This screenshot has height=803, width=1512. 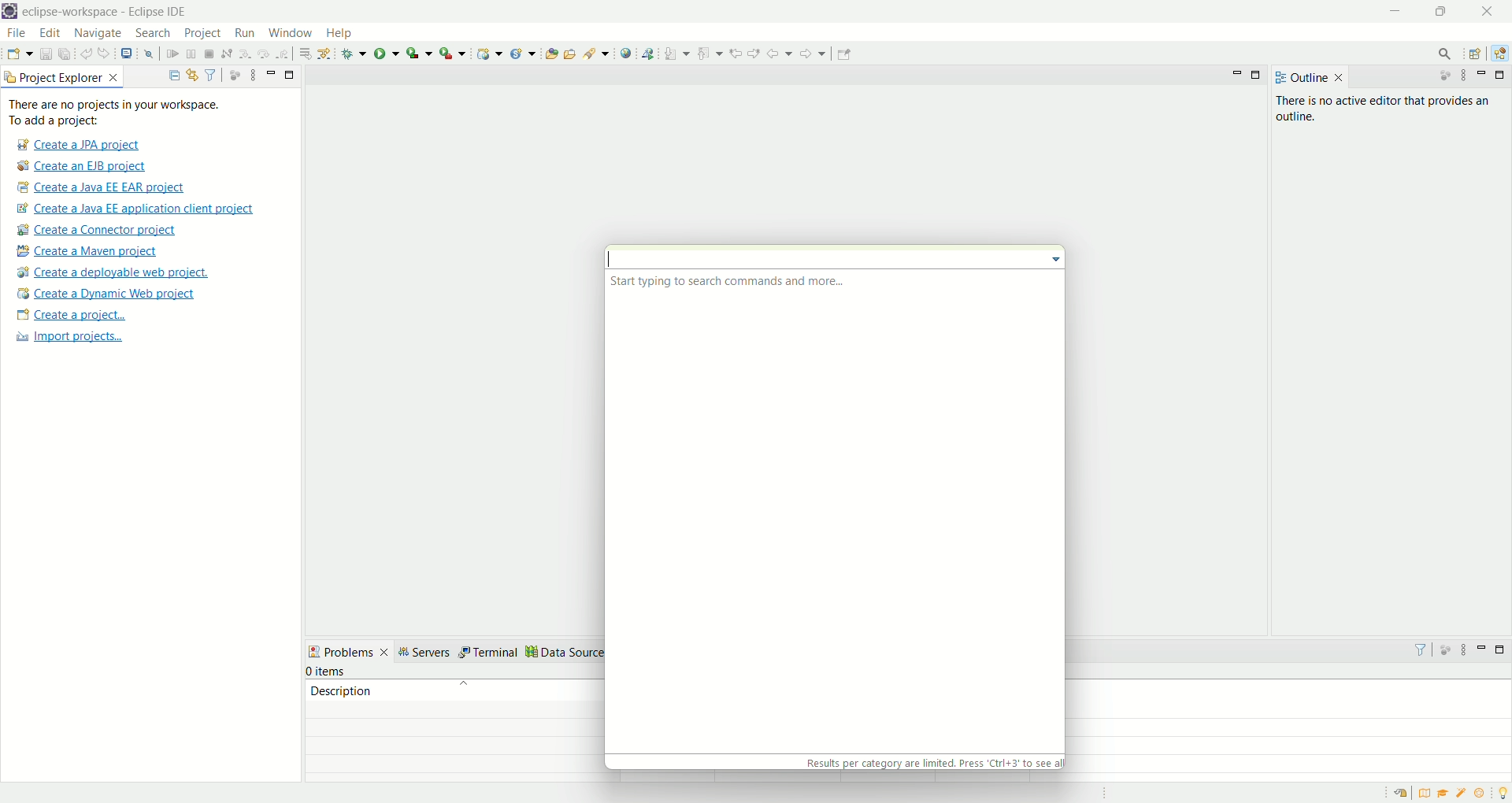 I want to click on maximize, so click(x=1258, y=76).